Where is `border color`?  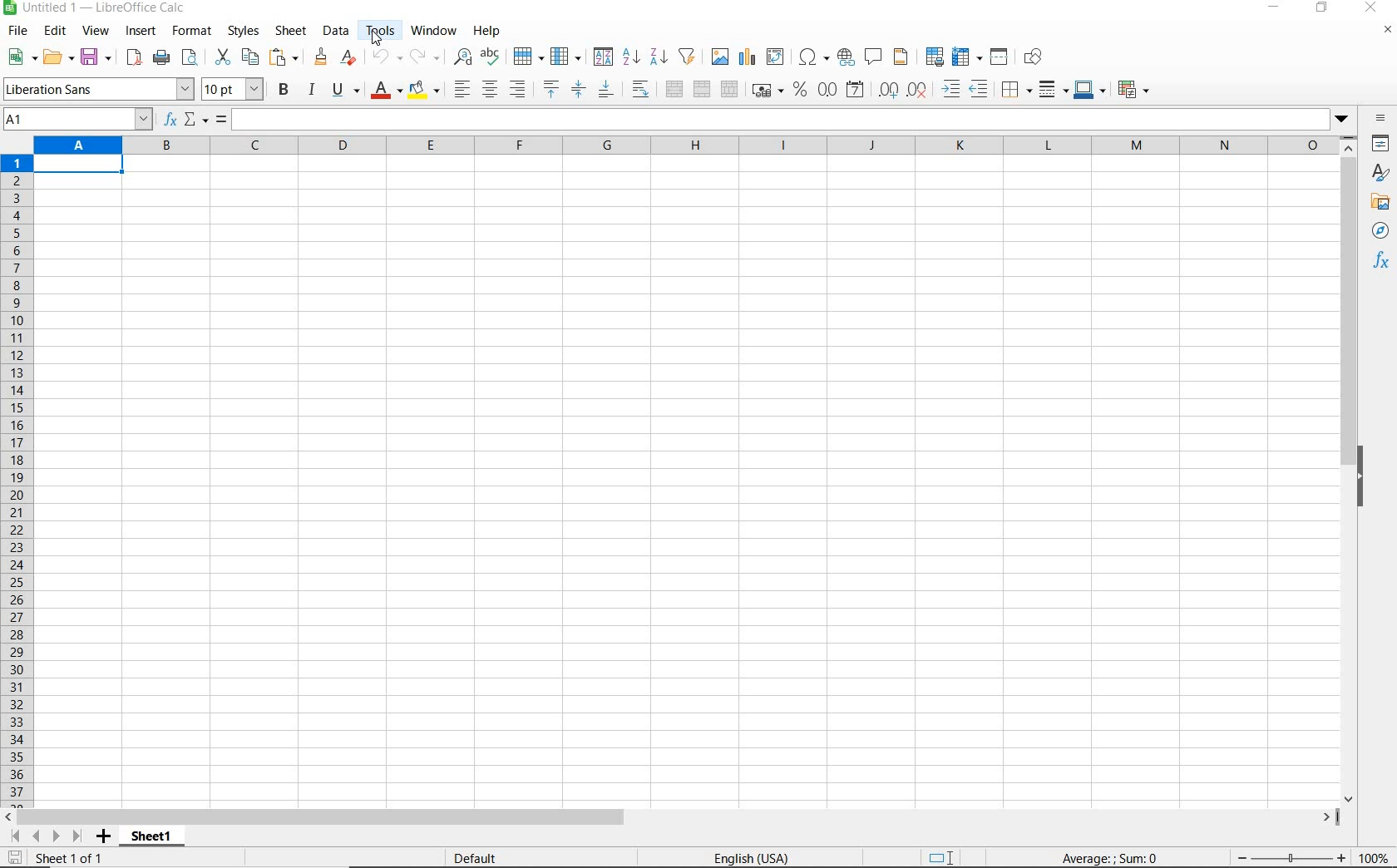
border color is located at coordinates (1091, 90).